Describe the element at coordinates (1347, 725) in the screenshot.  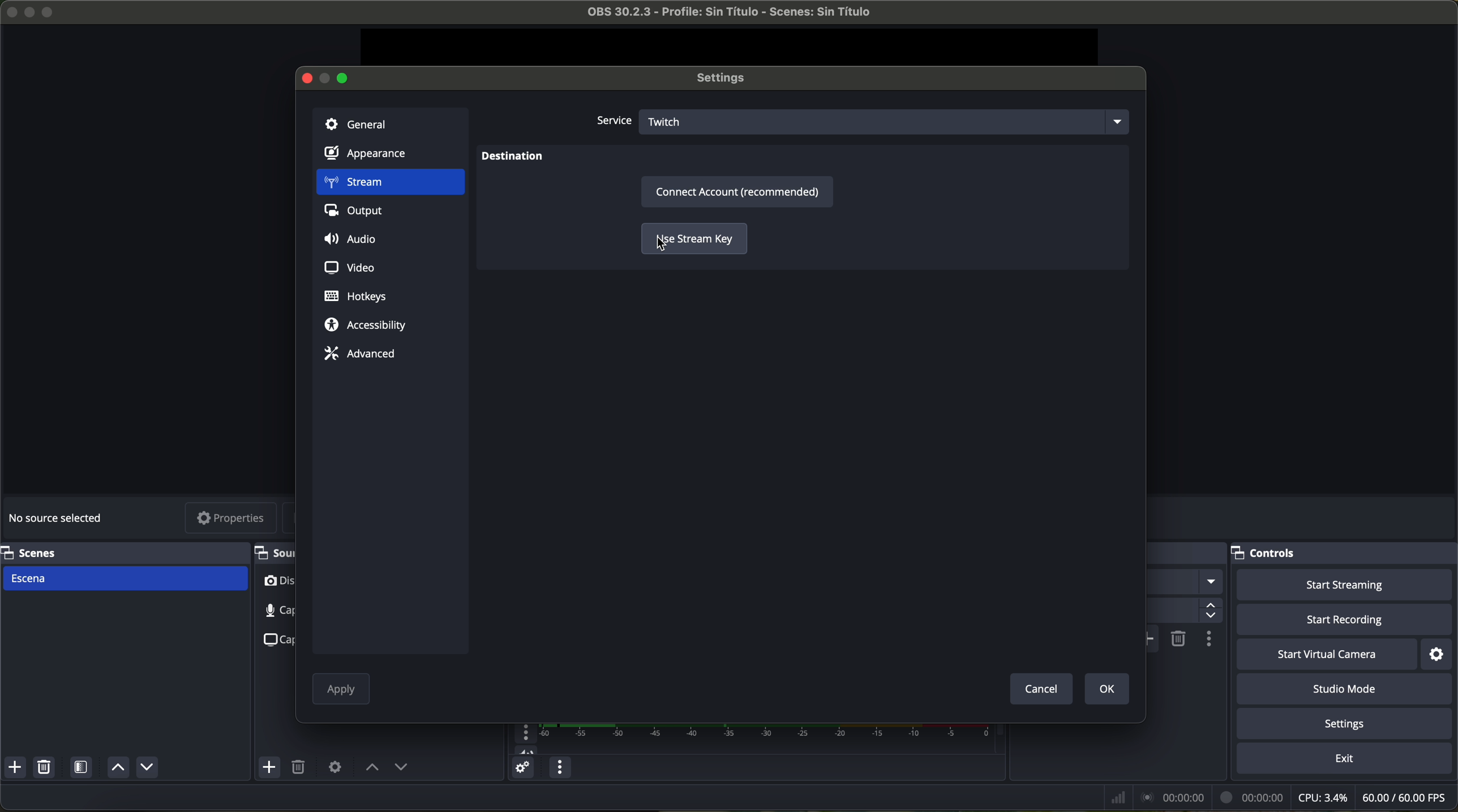
I see `settings` at that location.